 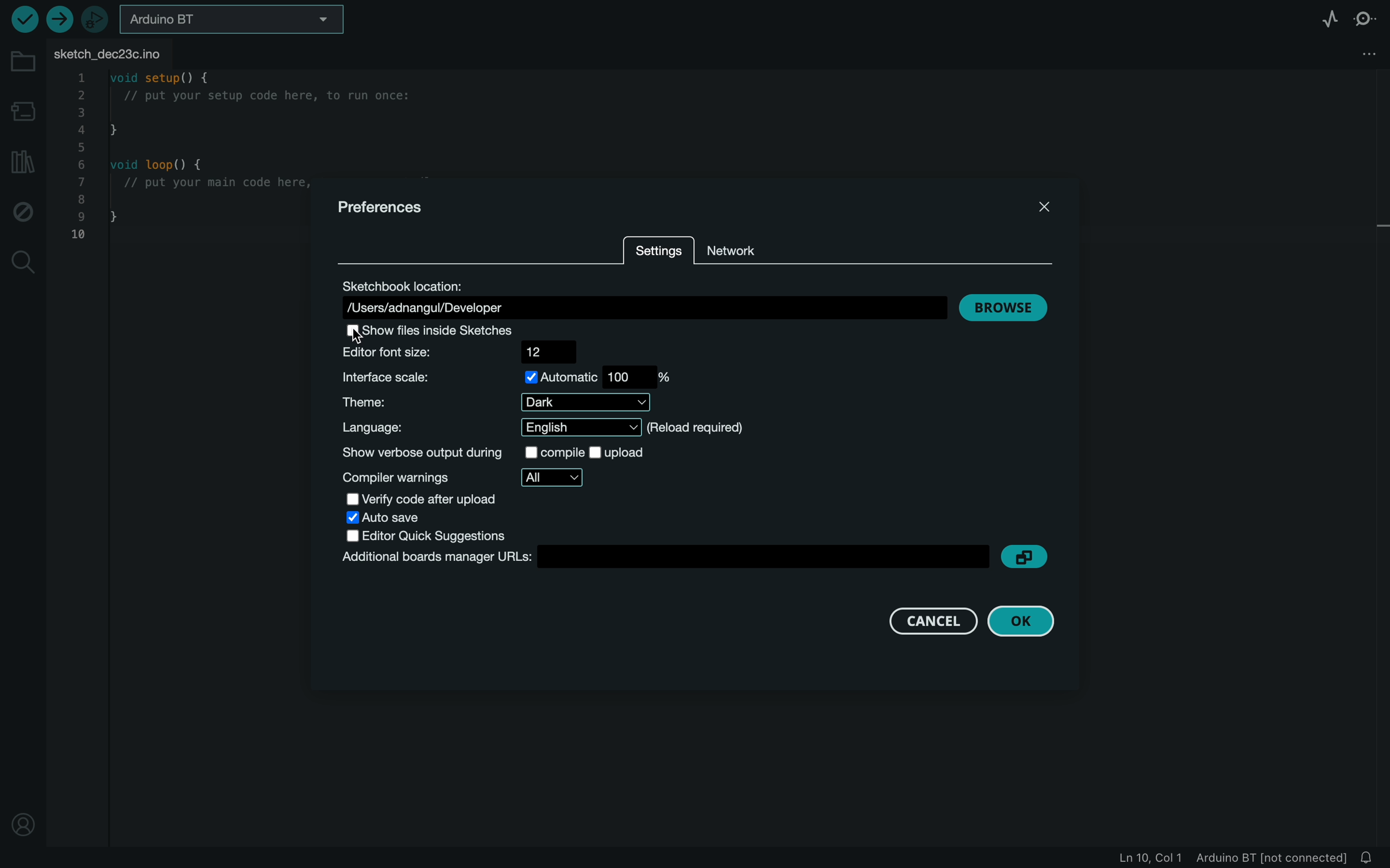 I want to click on code, so click(x=176, y=162).